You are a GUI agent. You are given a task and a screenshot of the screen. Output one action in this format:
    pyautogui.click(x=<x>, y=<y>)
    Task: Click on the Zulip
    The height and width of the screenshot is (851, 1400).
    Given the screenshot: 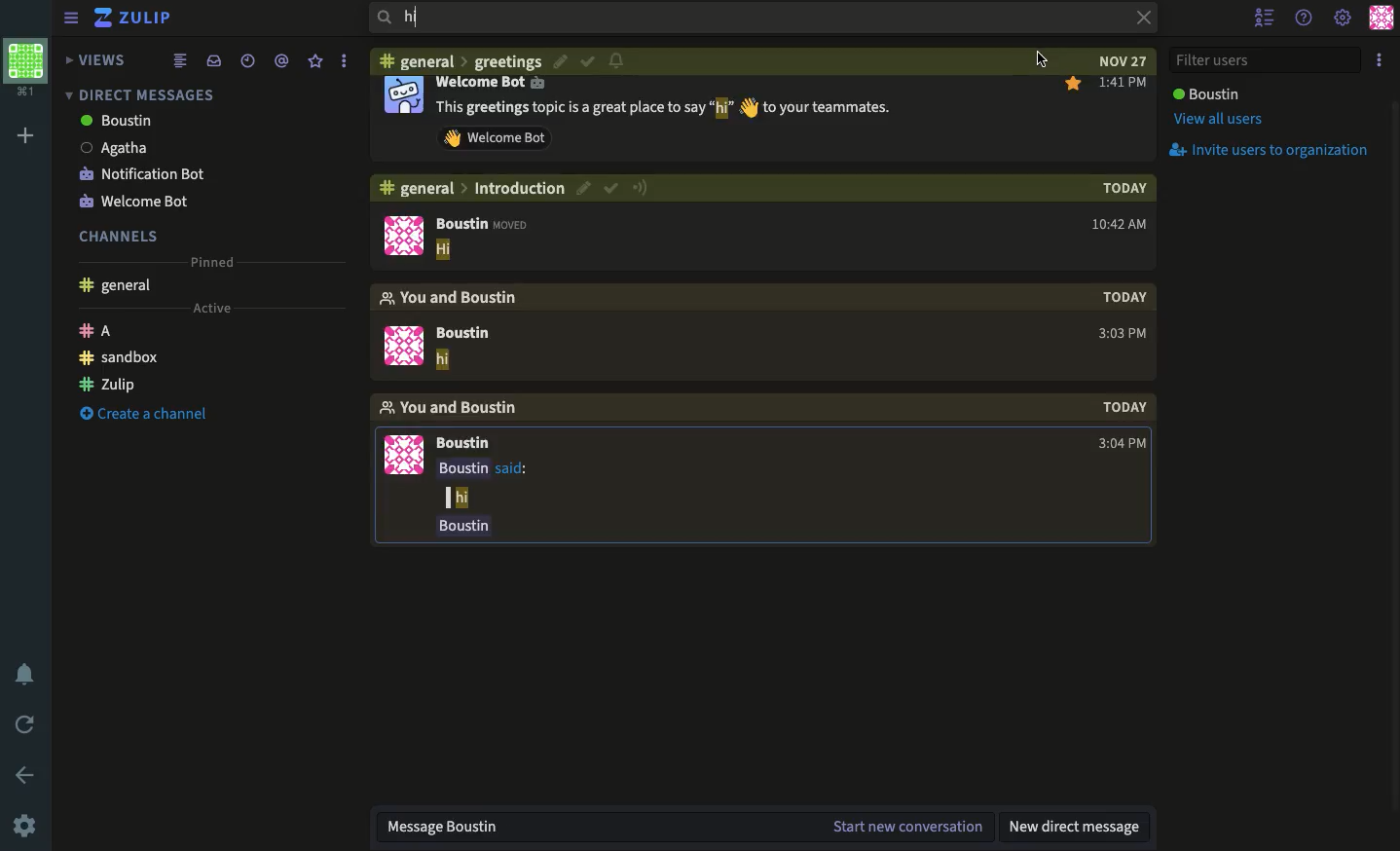 What is the action you would take?
    pyautogui.click(x=136, y=18)
    